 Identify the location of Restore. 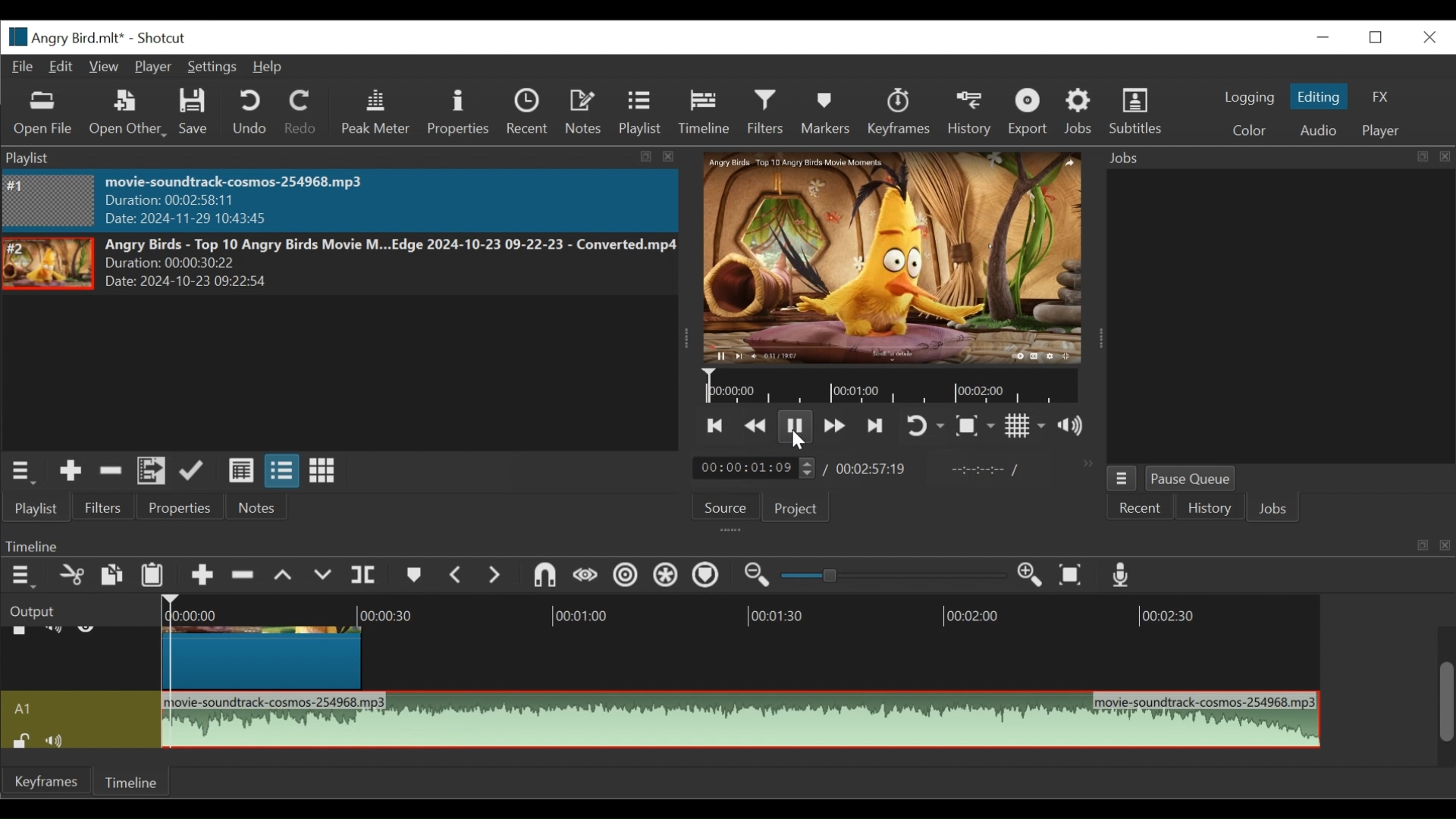
(1378, 36).